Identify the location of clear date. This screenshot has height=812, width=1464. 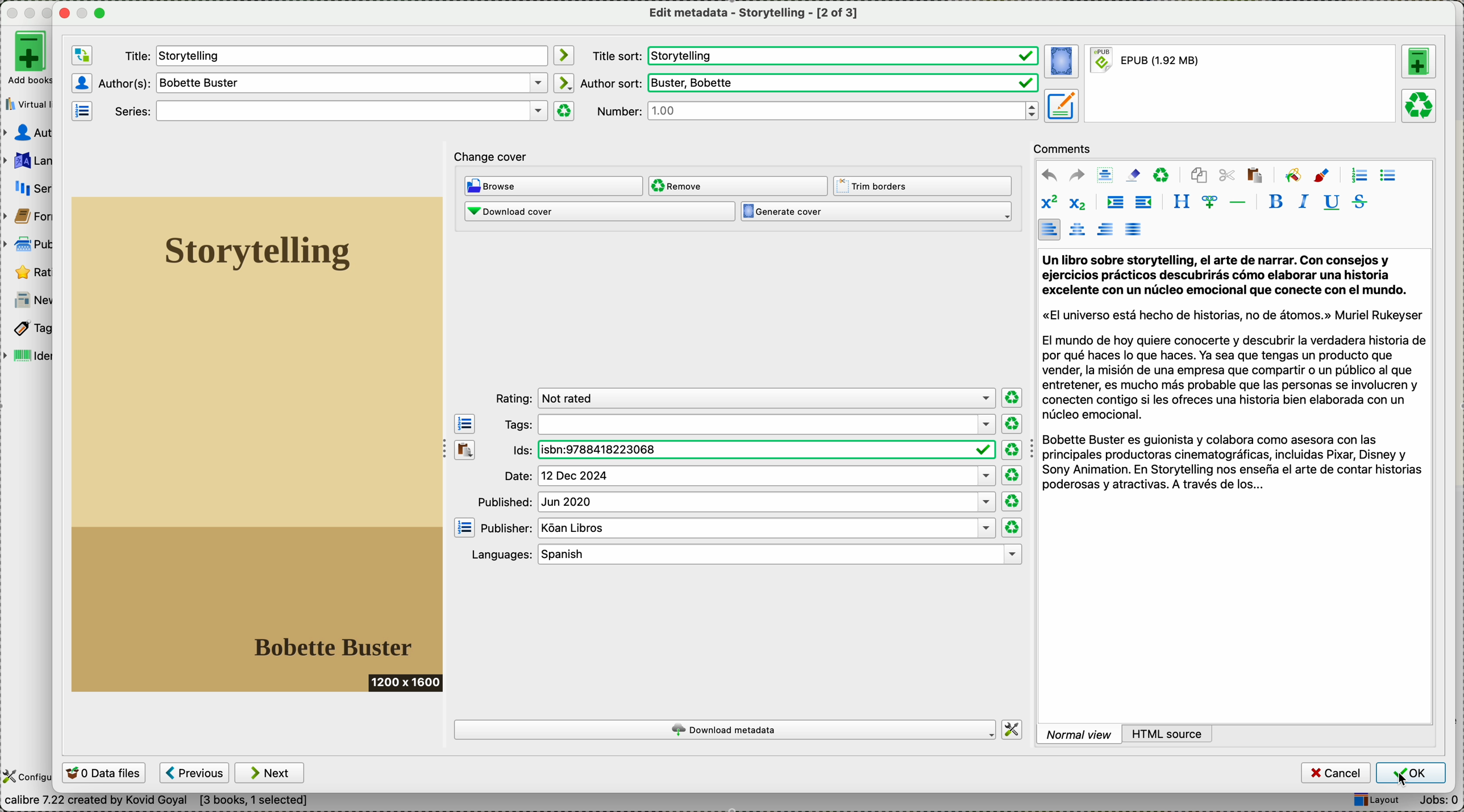
(1011, 397).